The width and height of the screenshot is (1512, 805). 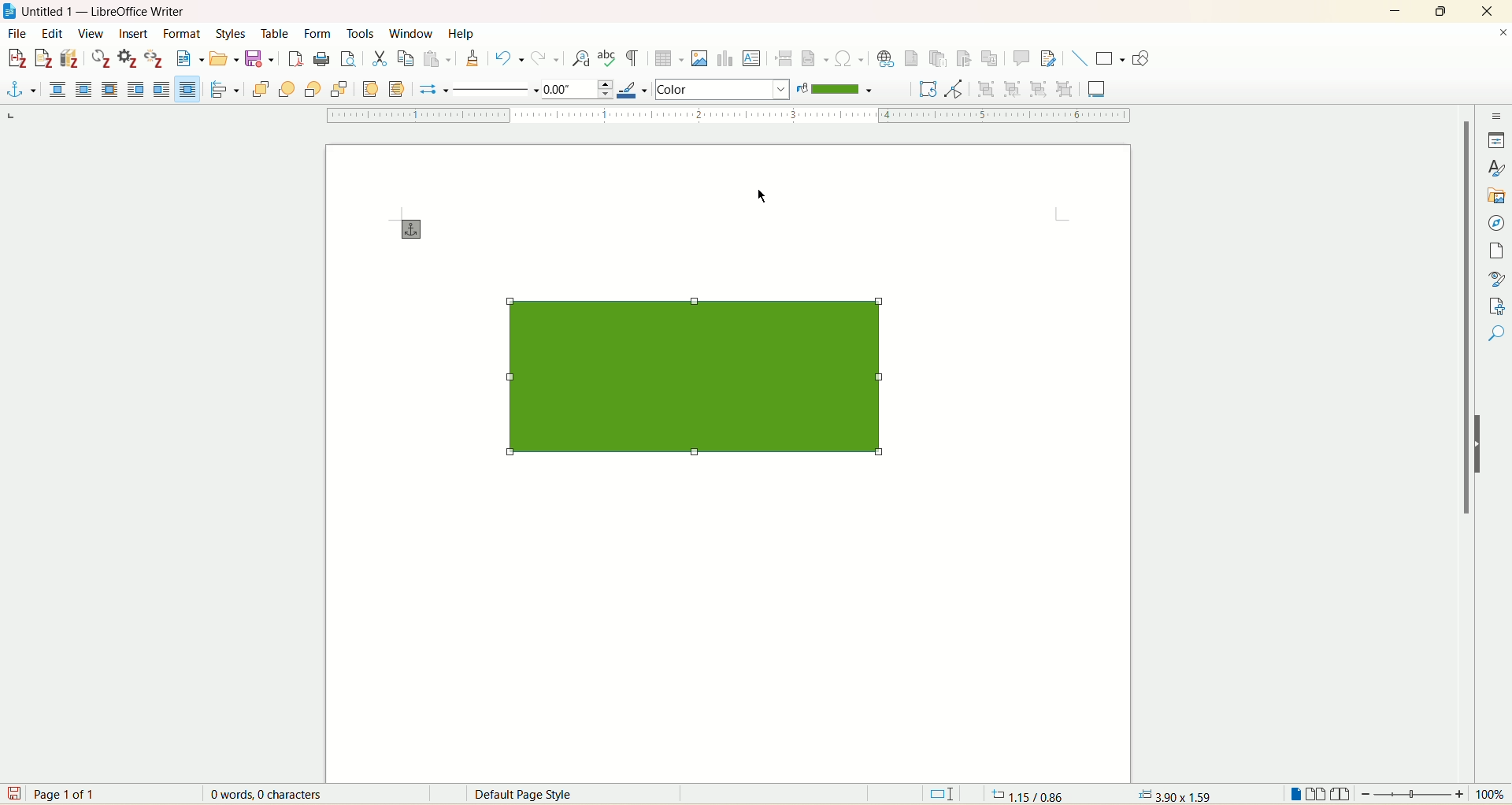 What do you see at coordinates (1038, 88) in the screenshot?
I see `exit group` at bounding box center [1038, 88].